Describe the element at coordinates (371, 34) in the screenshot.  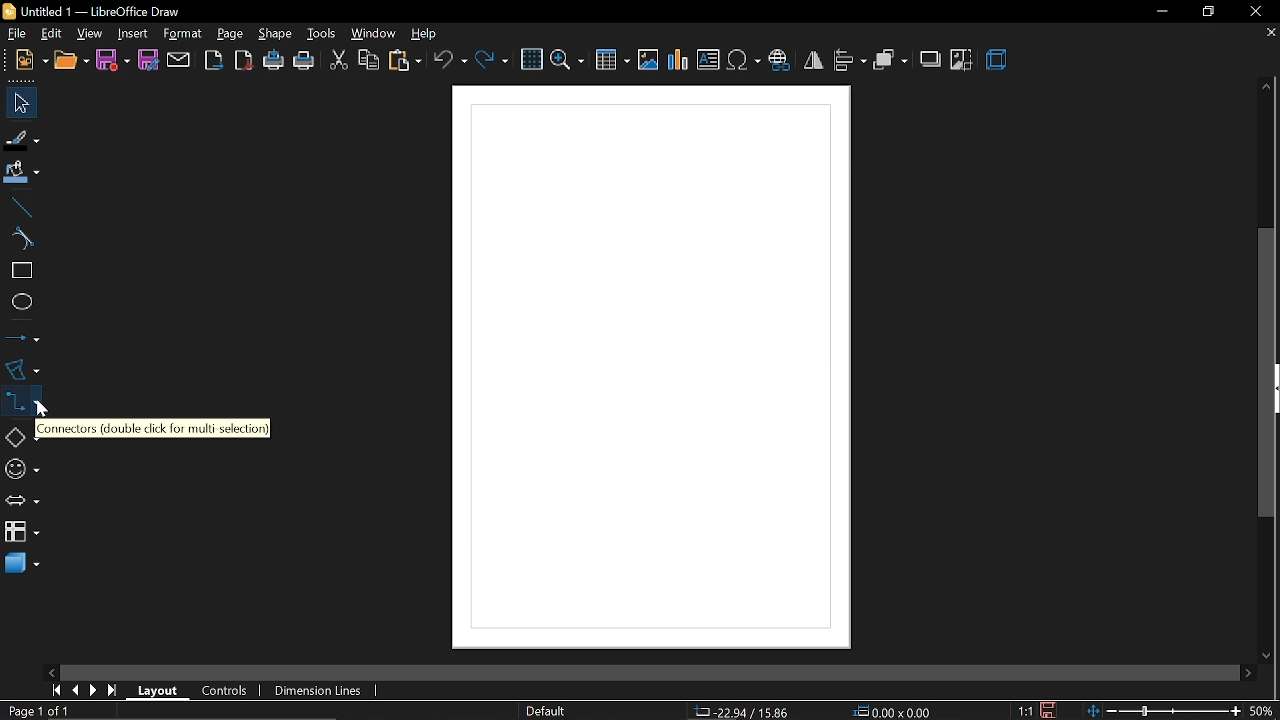
I see `window` at that location.